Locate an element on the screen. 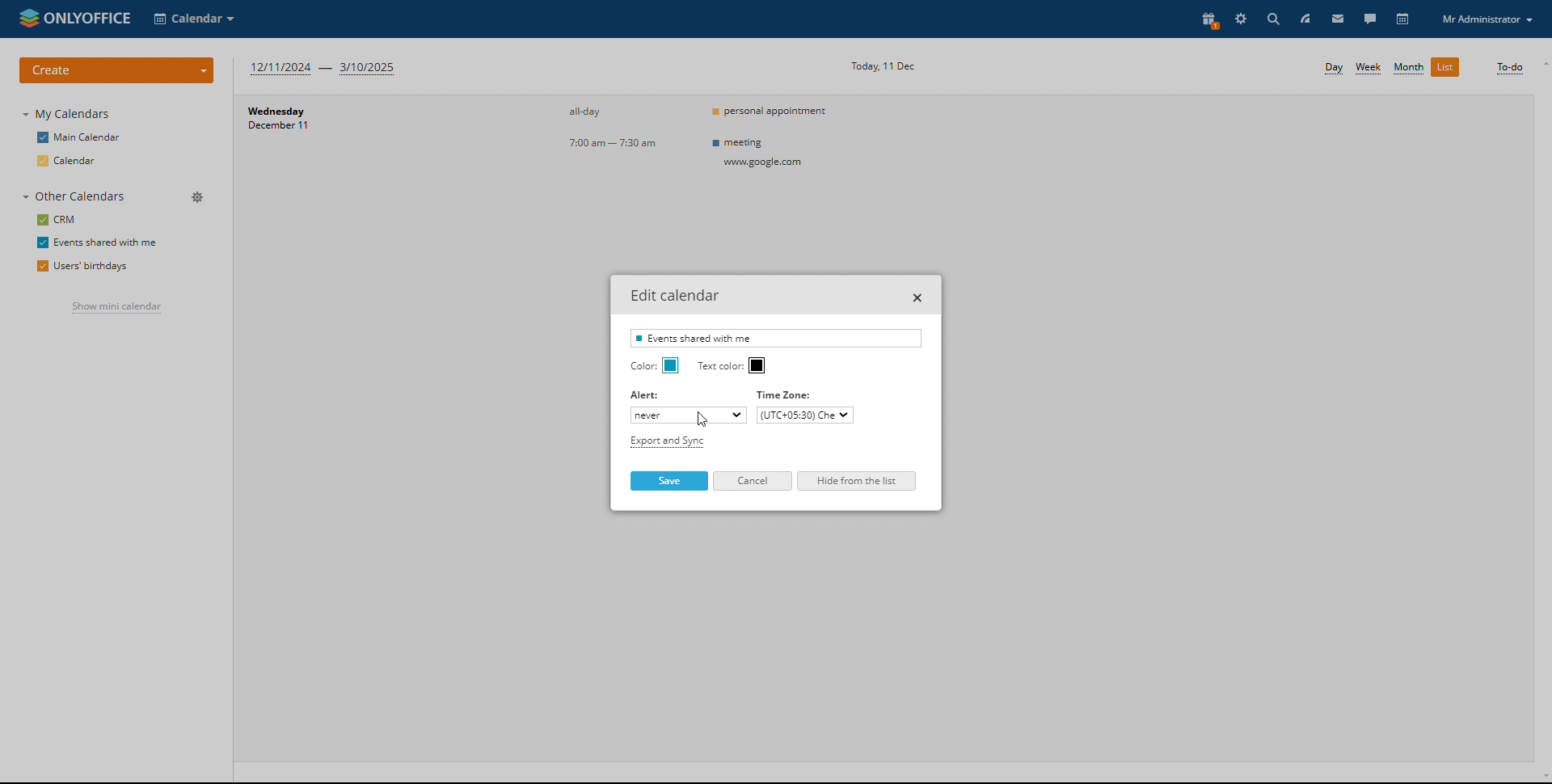 This screenshot has width=1552, height=784. Color: is located at coordinates (641, 366).